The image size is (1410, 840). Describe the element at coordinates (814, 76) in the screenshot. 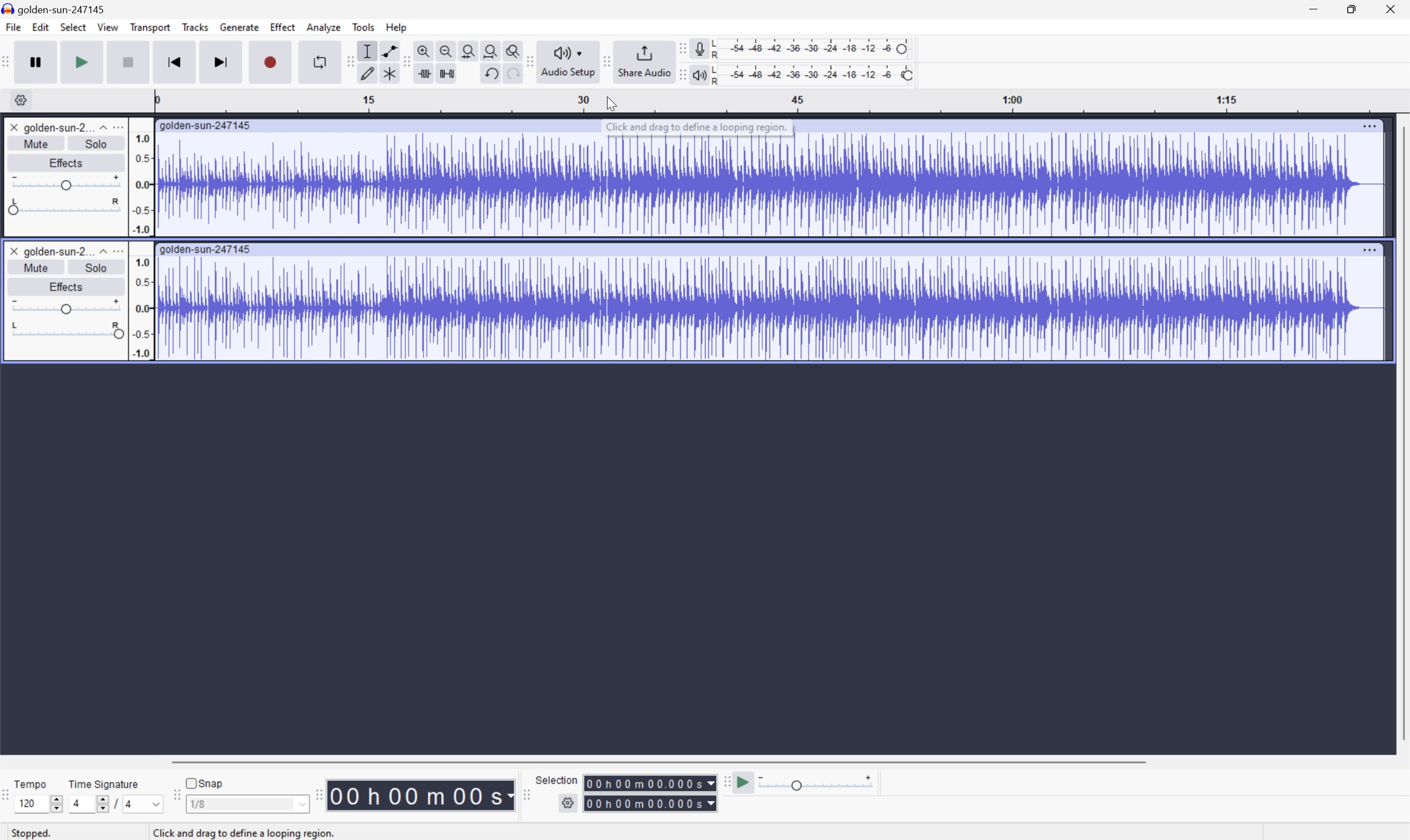

I see `Playback level: 100%` at that location.